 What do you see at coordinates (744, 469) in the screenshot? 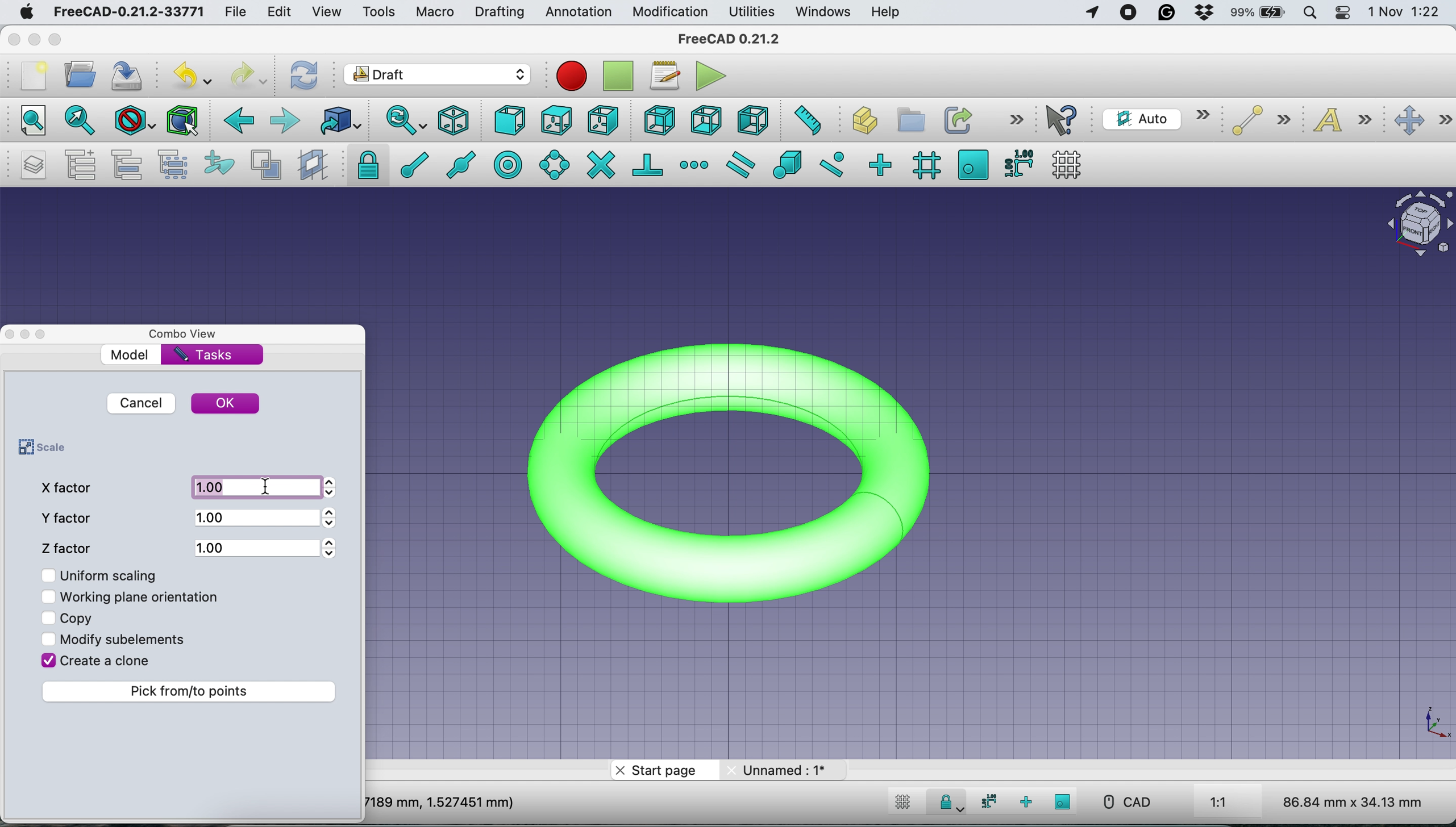
I see `torus` at bounding box center [744, 469].